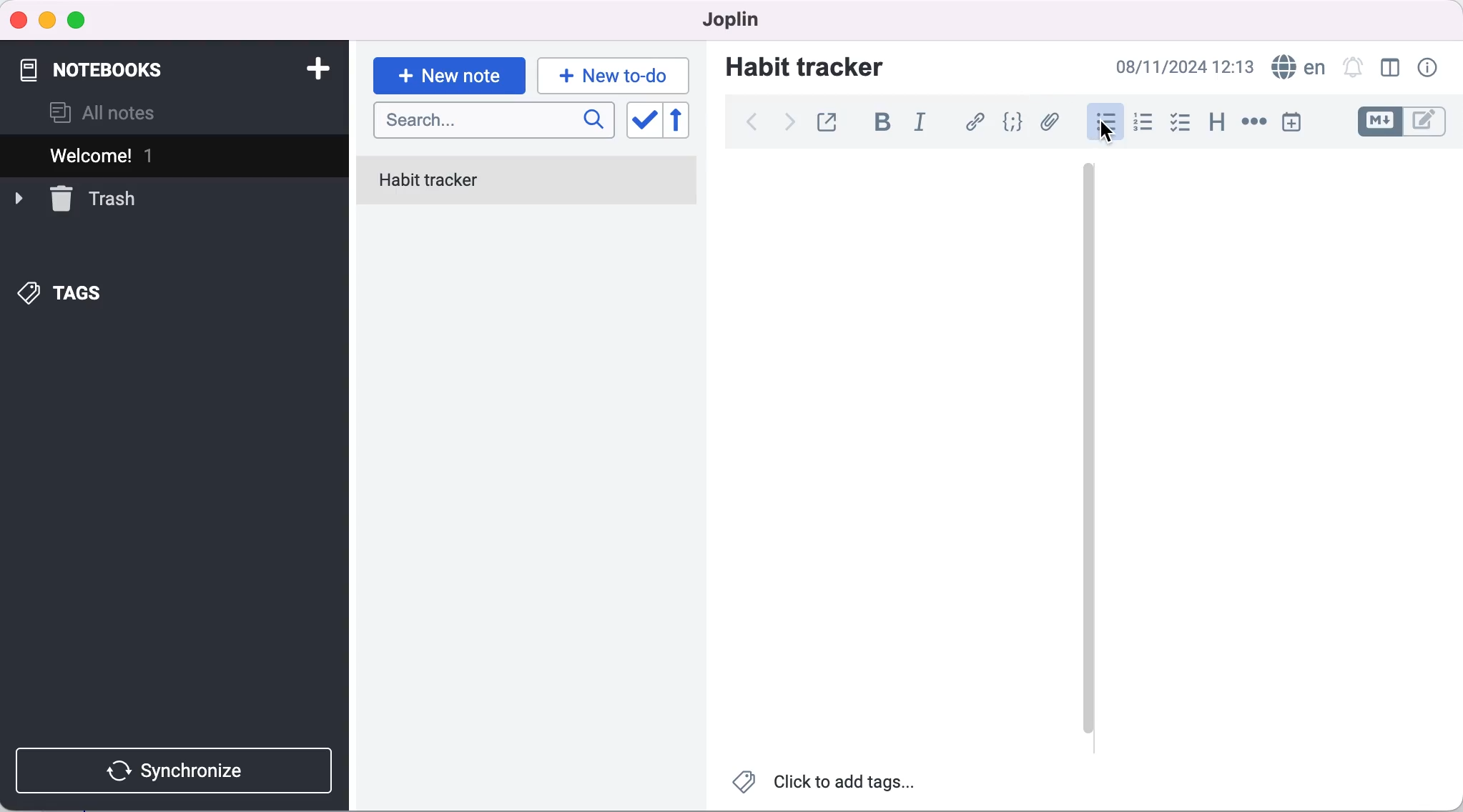 The width and height of the screenshot is (1463, 812). I want to click on forward, so click(787, 127).